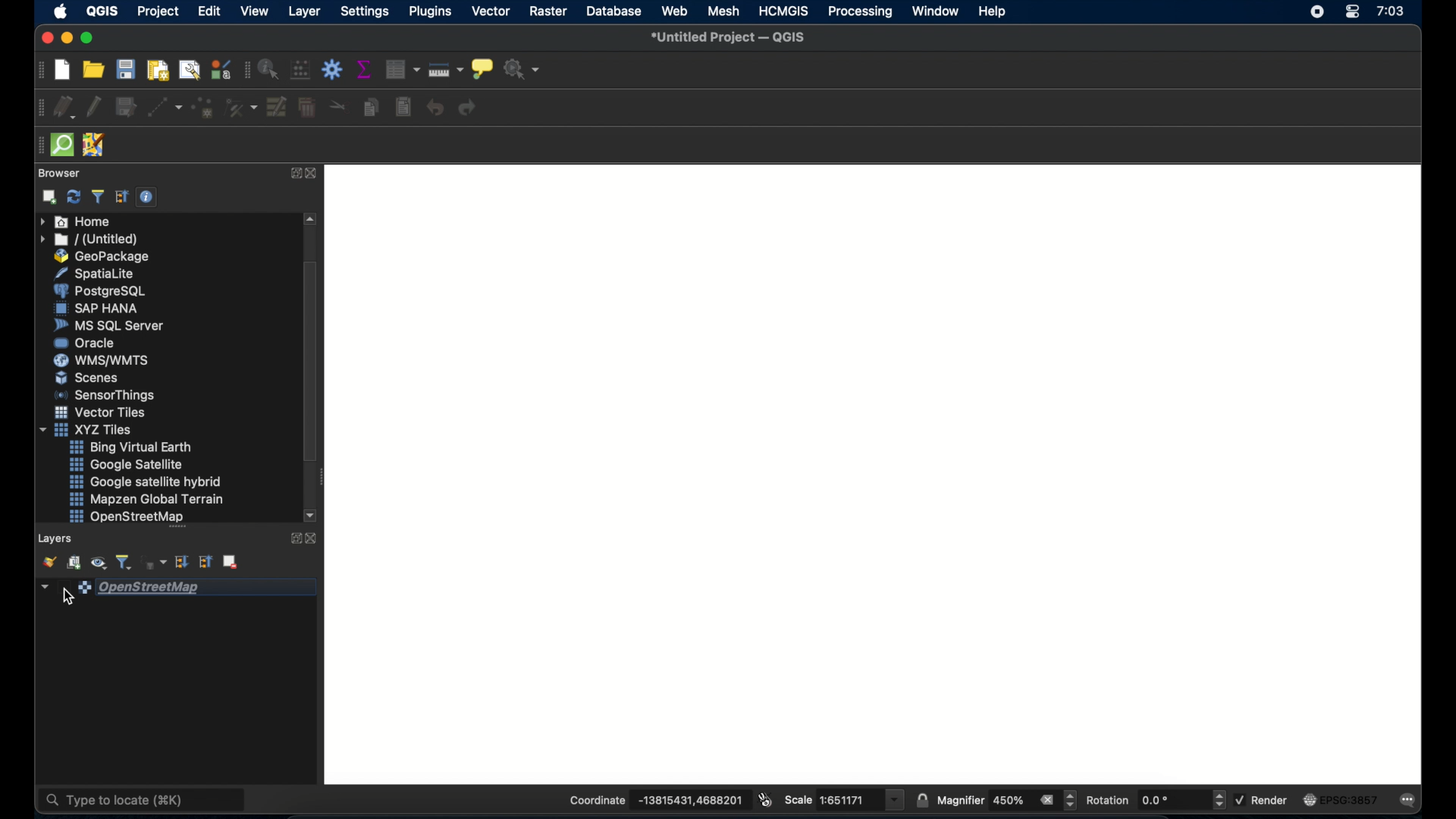  Describe the element at coordinates (764, 799) in the screenshot. I see `toggle. extents and mouse position display` at that location.